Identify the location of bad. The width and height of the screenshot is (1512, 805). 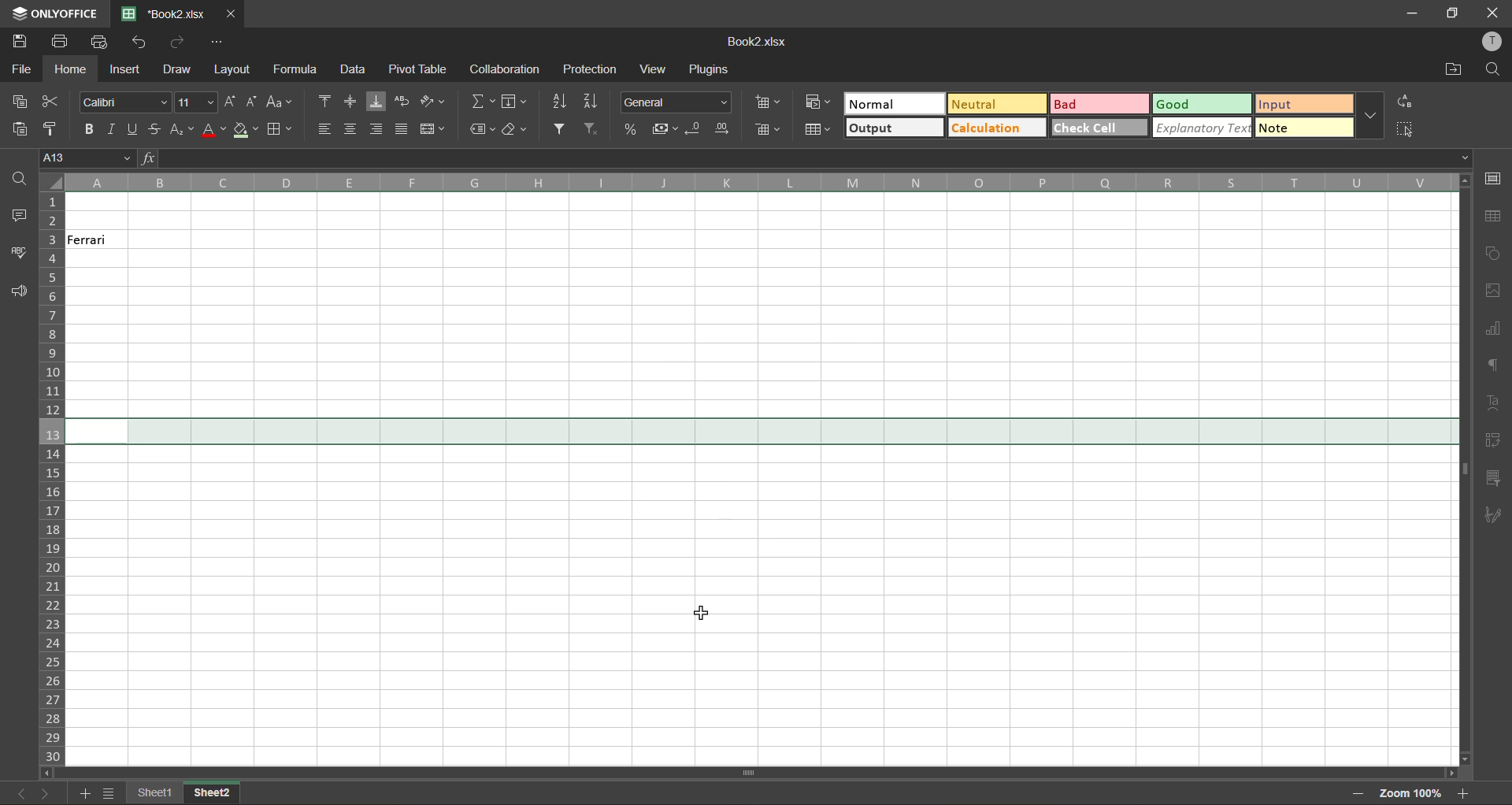
(1101, 106).